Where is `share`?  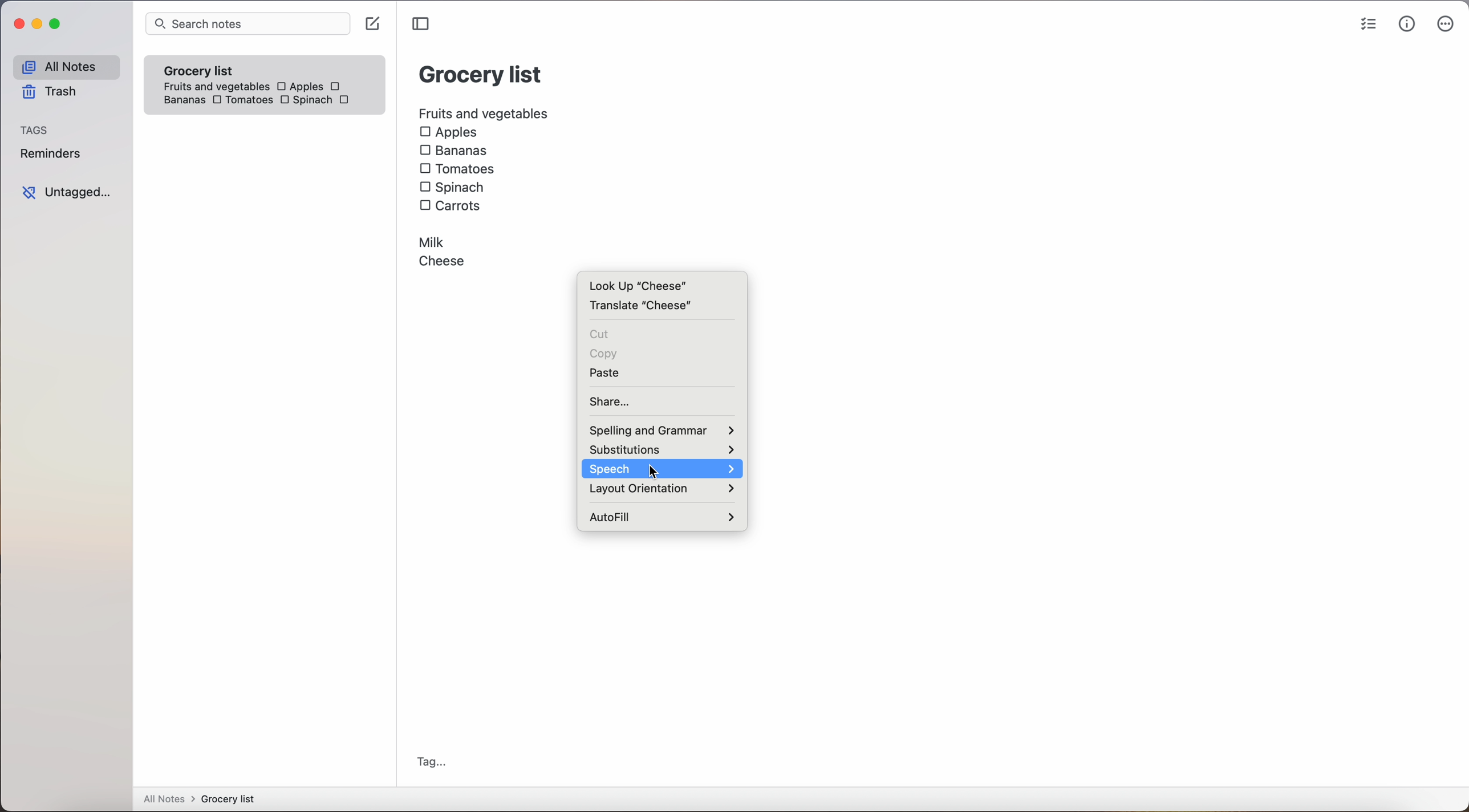 share is located at coordinates (610, 401).